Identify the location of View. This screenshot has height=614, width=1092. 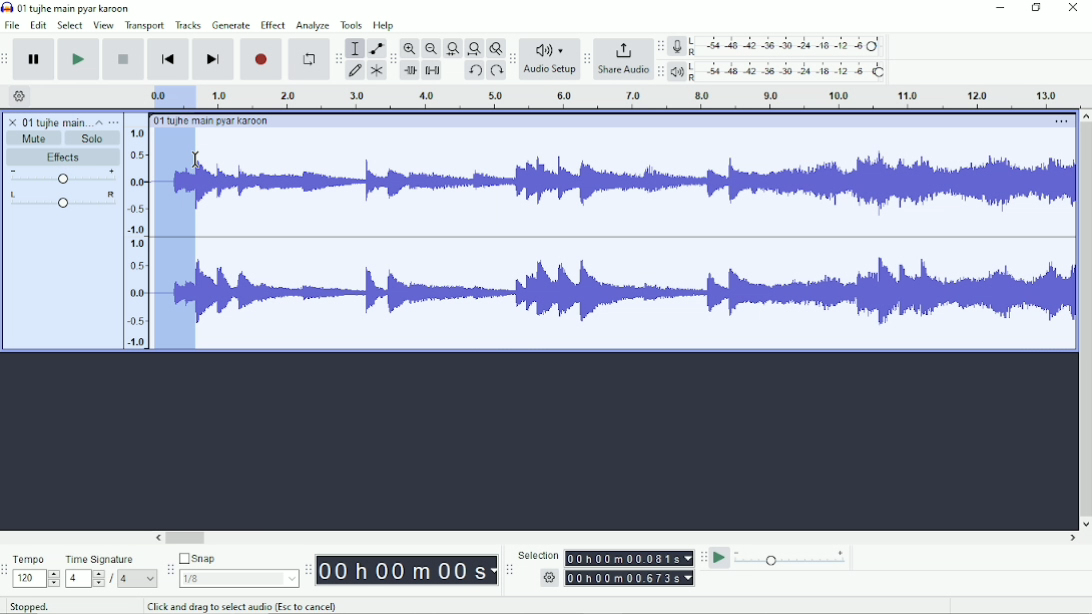
(103, 25).